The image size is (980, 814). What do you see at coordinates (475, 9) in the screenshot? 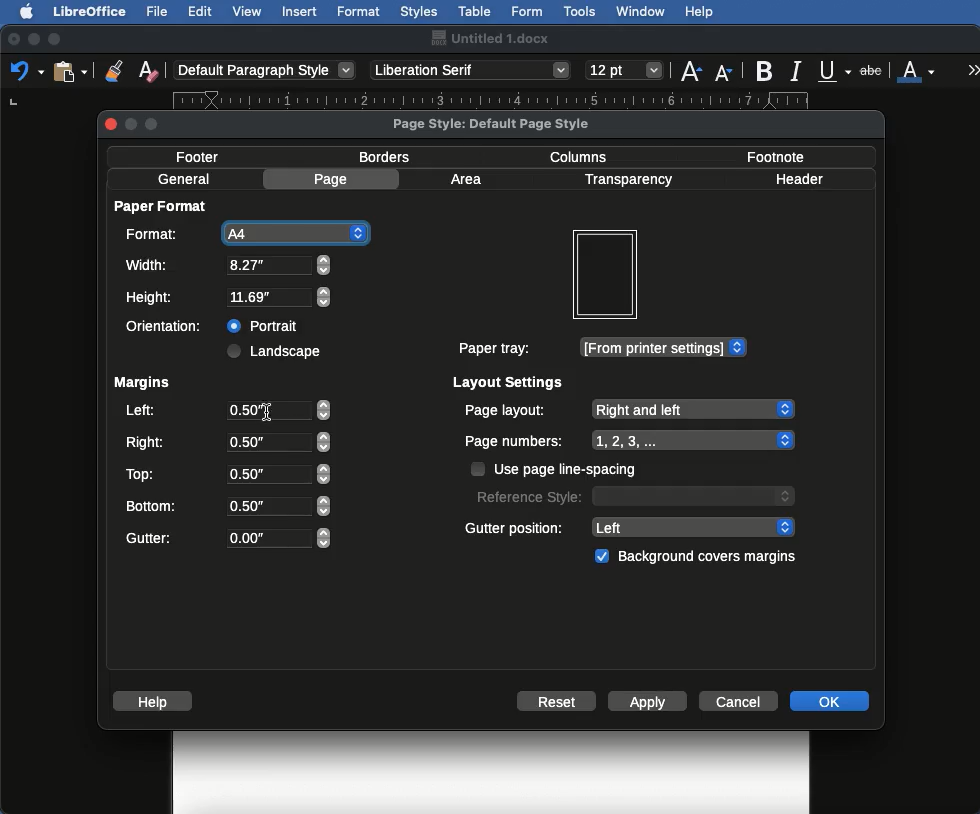
I see `Table` at bounding box center [475, 9].